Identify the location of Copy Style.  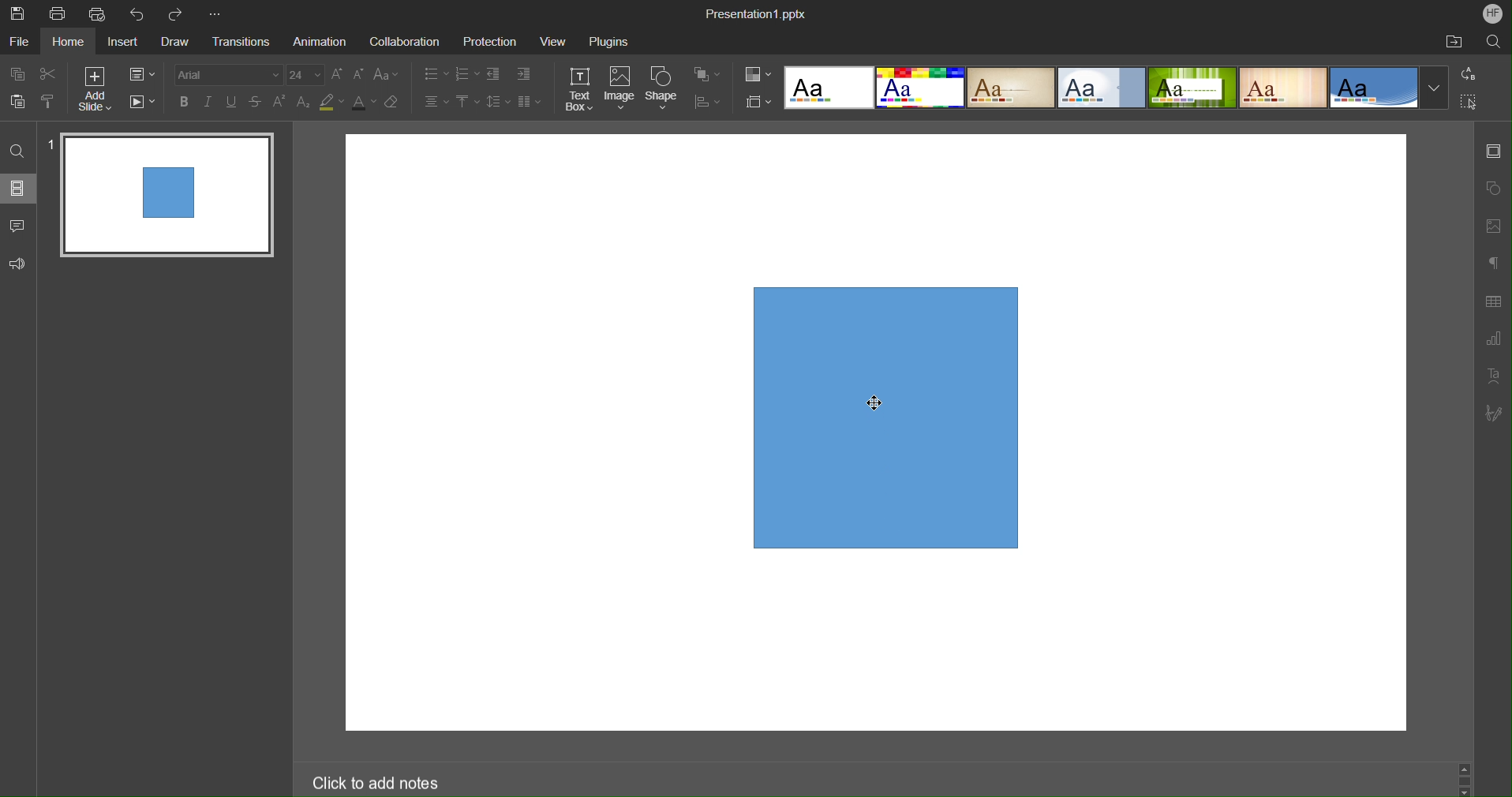
(47, 102).